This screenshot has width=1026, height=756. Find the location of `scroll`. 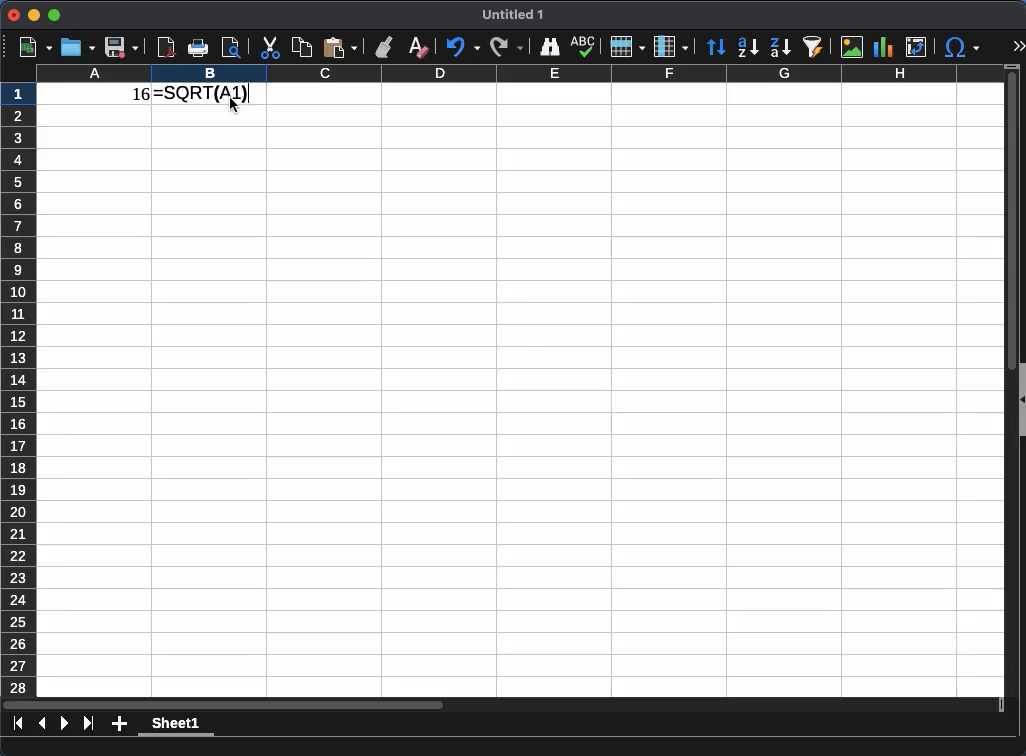

scroll is located at coordinates (506, 706).